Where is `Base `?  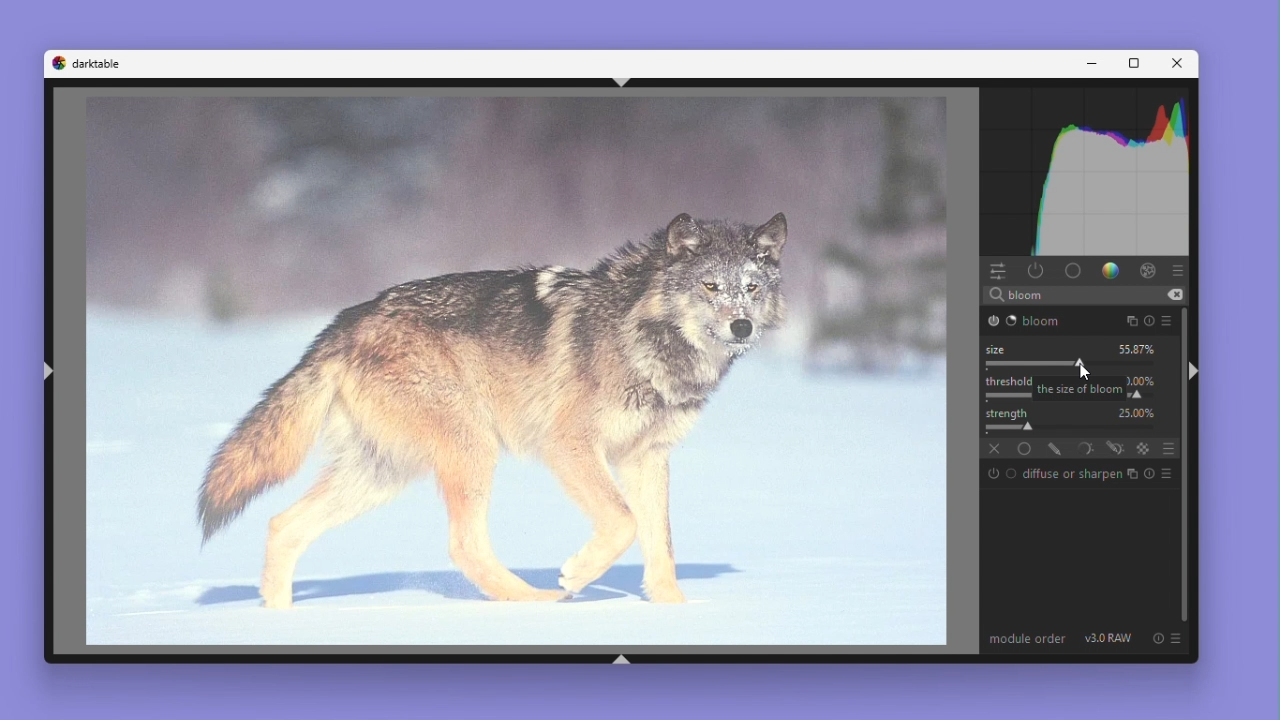 Base  is located at coordinates (1073, 270).